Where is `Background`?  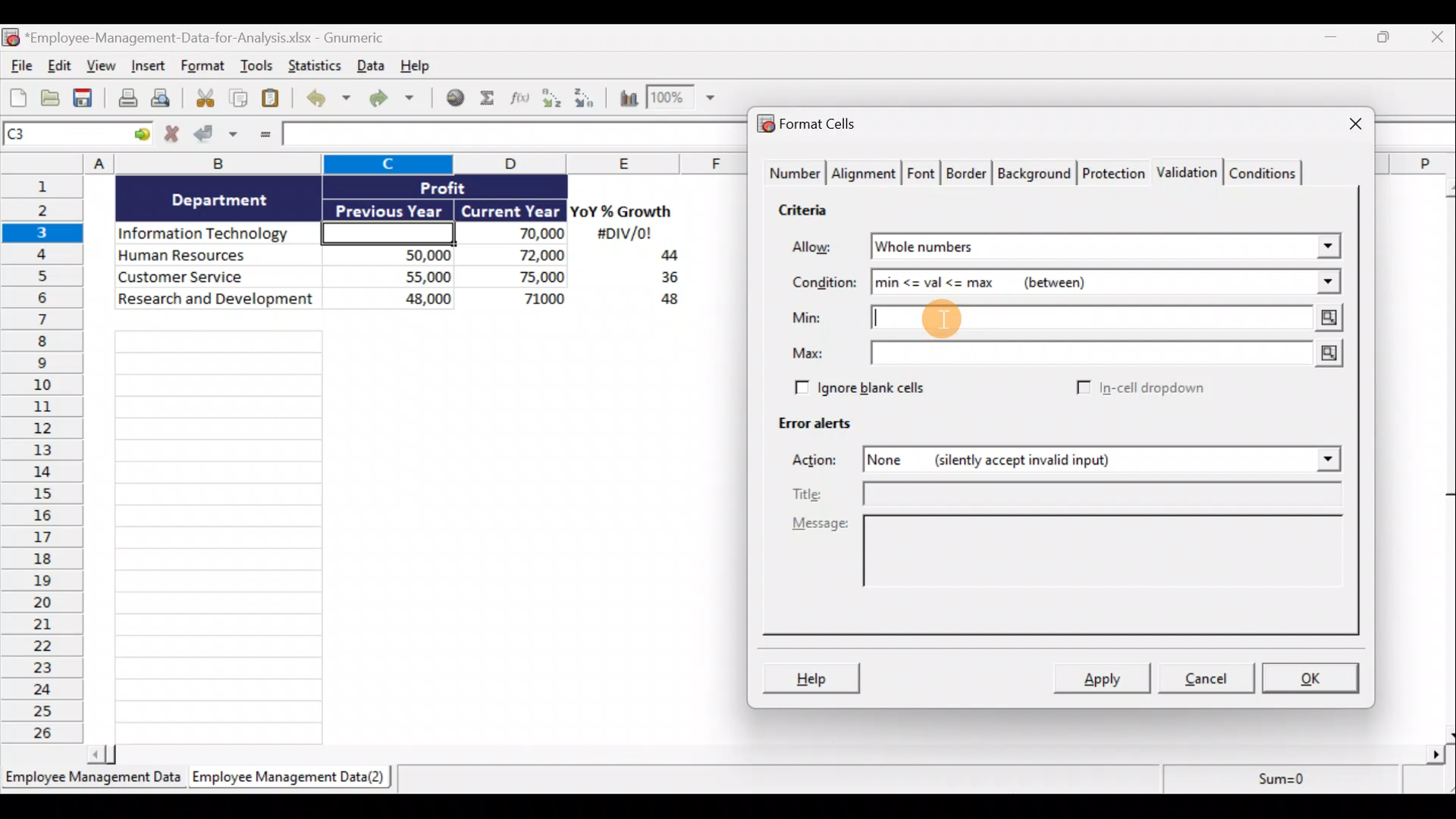 Background is located at coordinates (1038, 174).